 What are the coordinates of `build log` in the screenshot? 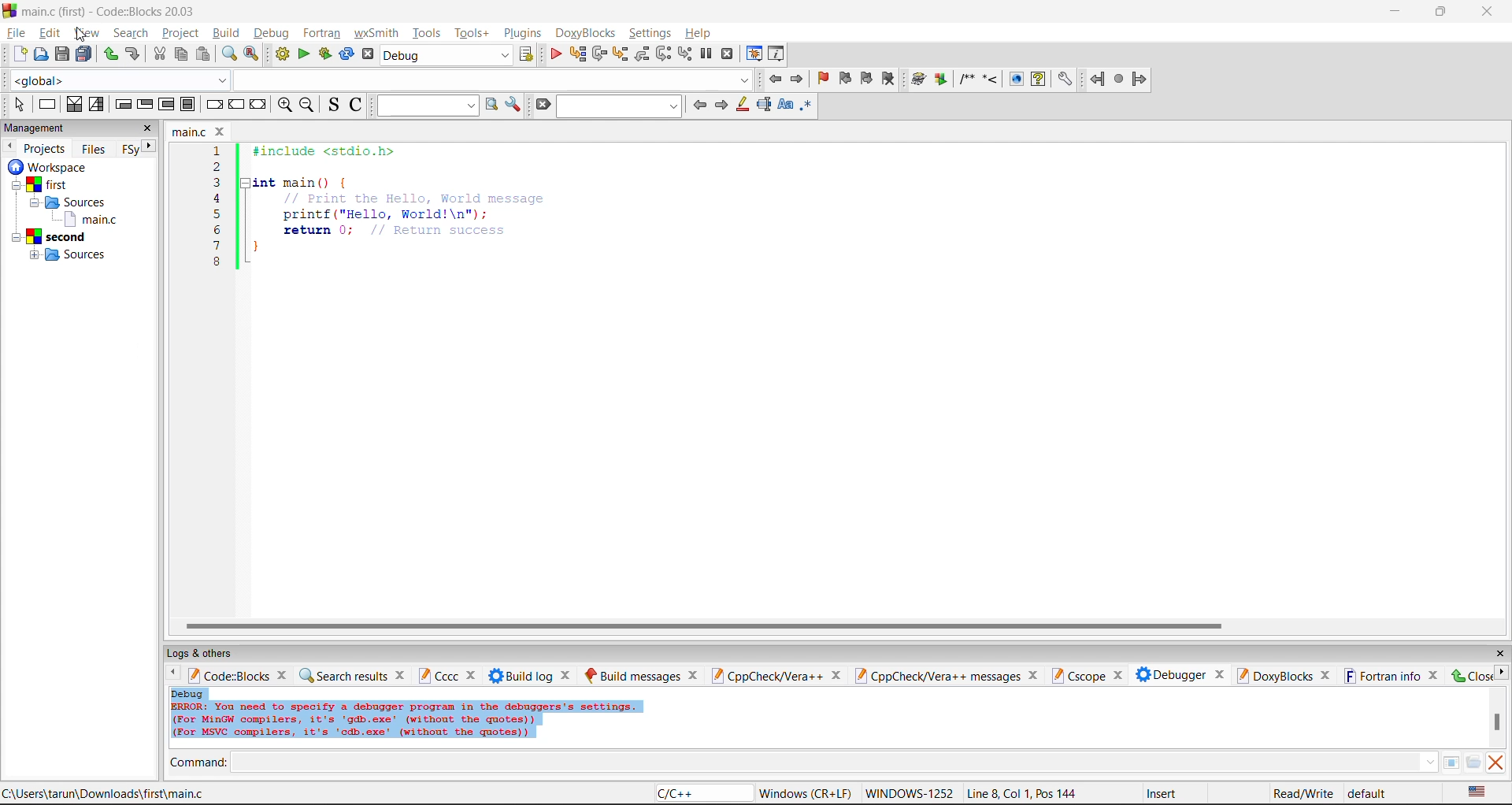 It's located at (534, 675).